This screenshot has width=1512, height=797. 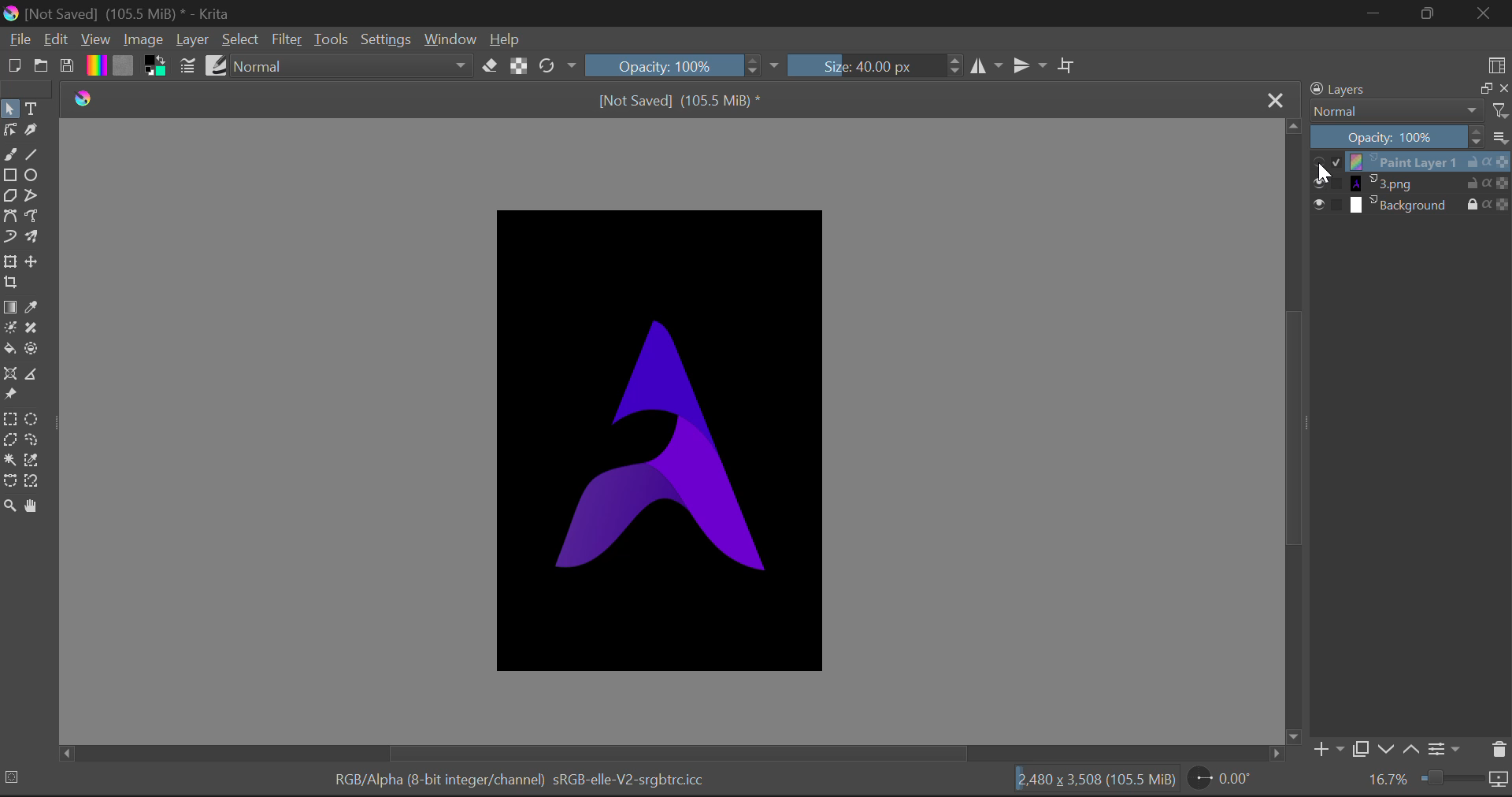 What do you see at coordinates (673, 752) in the screenshot?
I see `Scroll Bar` at bounding box center [673, 752].